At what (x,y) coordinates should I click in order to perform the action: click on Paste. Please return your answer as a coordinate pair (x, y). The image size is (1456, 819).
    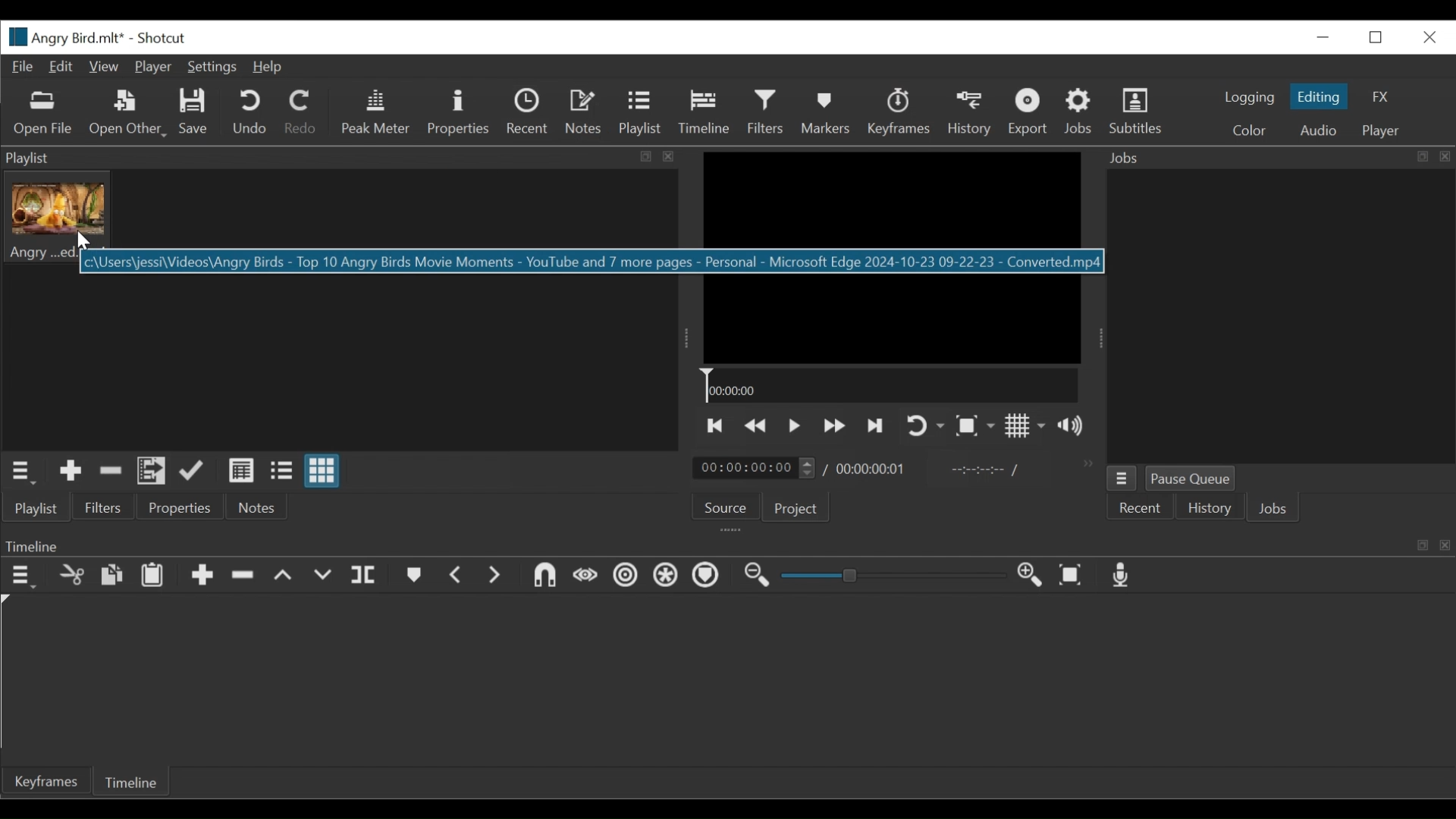
    Looking at the image, I should click on (154, 573).